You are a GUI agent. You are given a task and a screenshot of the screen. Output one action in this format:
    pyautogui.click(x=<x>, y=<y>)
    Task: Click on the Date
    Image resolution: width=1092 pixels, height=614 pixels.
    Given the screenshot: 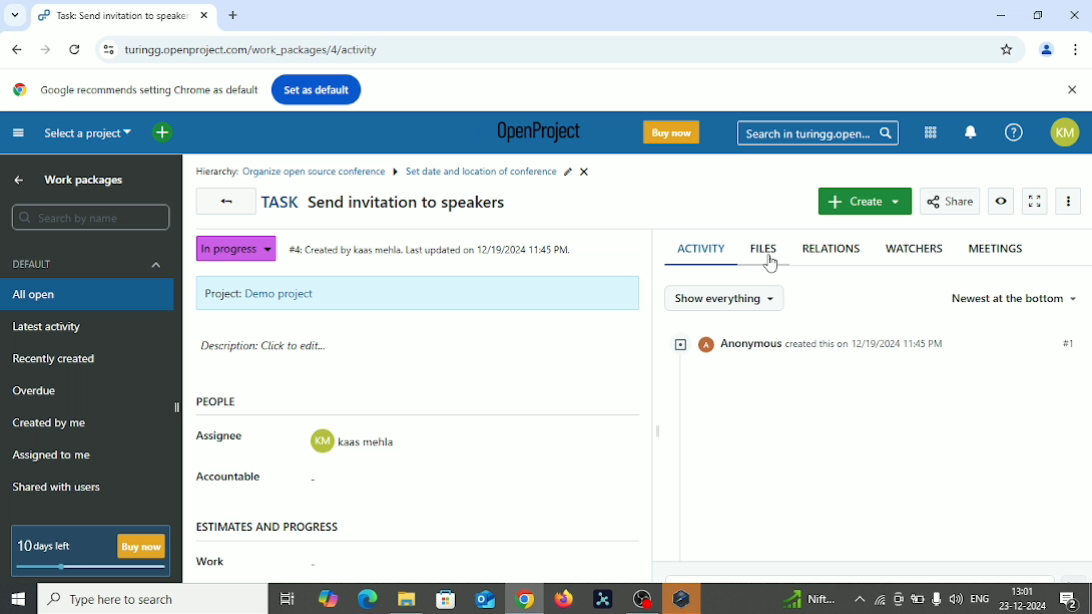 What is the action you would take?
    pyautogui.click(x=1024, y=606)
    